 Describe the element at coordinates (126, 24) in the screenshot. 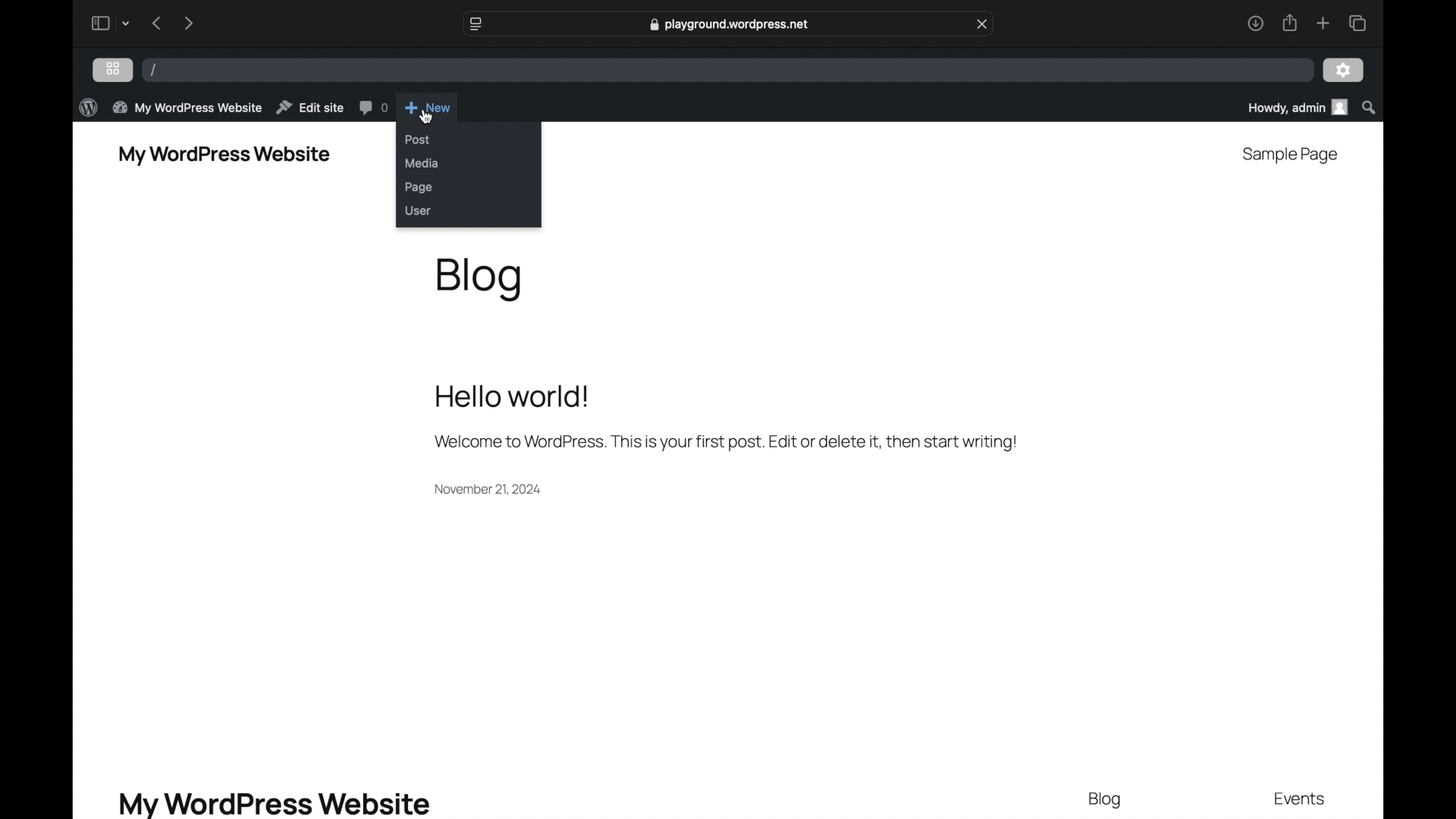

I see `drop-down` at that location.